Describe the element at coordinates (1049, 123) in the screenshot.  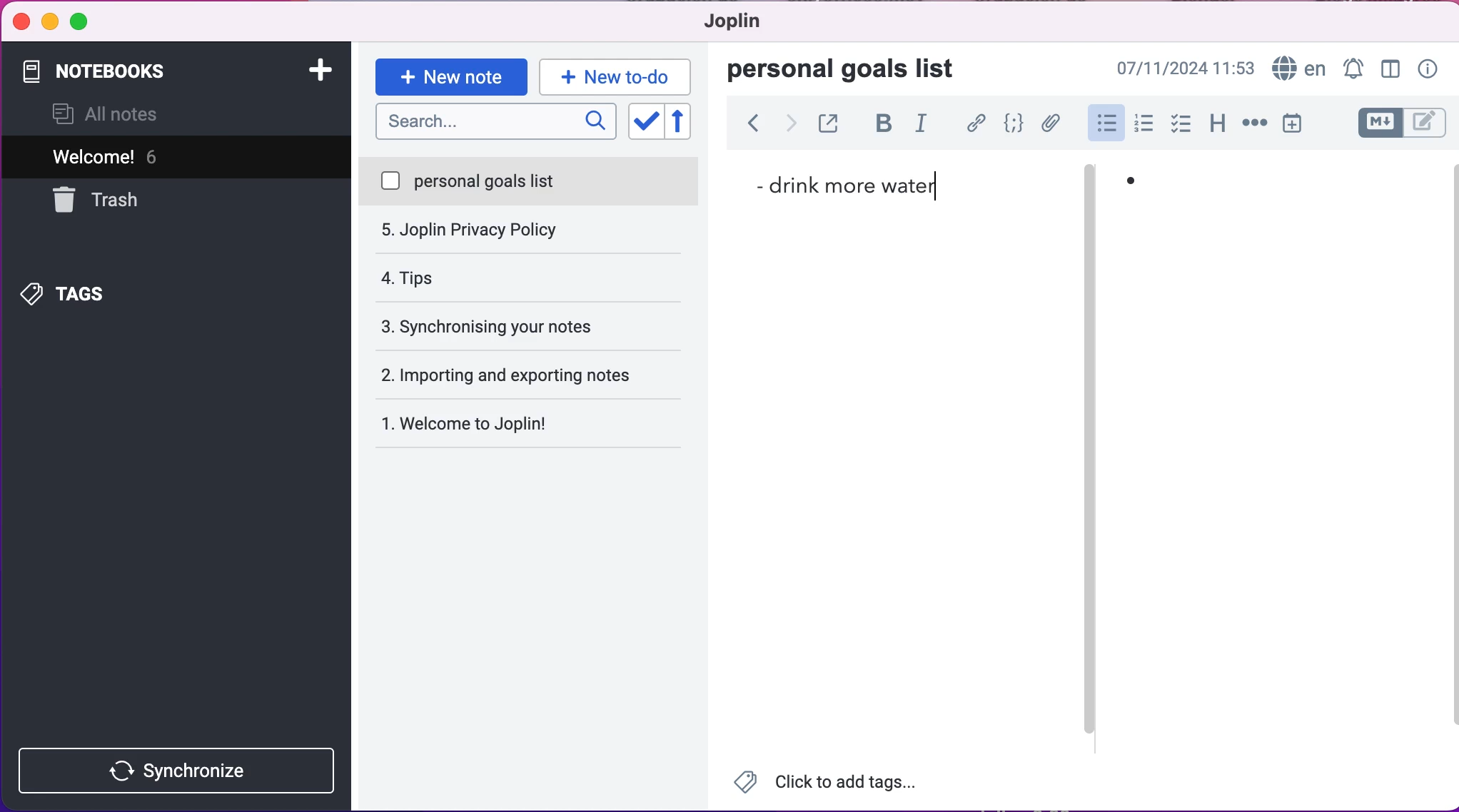
I see `attach file` at that location.